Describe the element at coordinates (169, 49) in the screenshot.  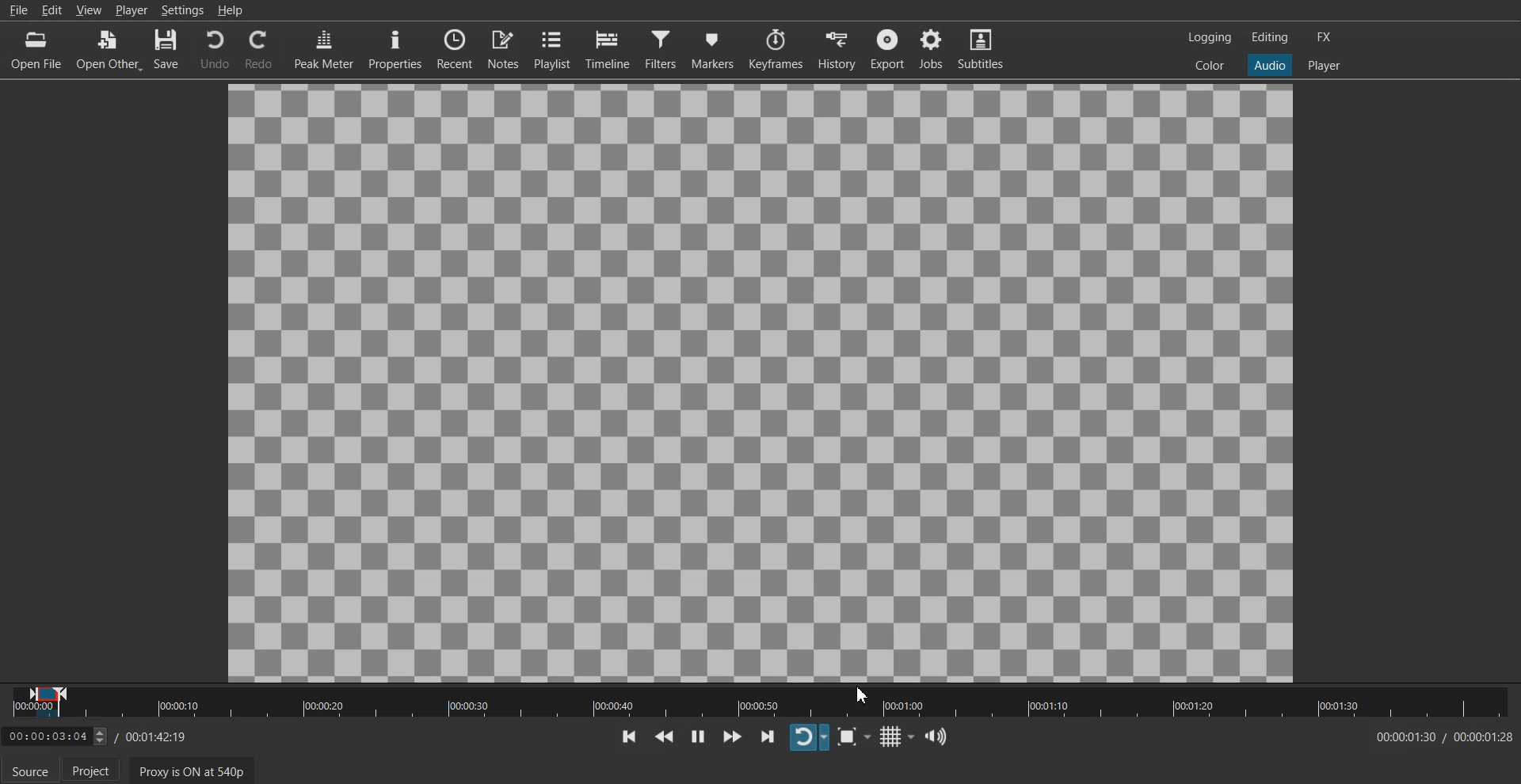
I see `Save` at that location.